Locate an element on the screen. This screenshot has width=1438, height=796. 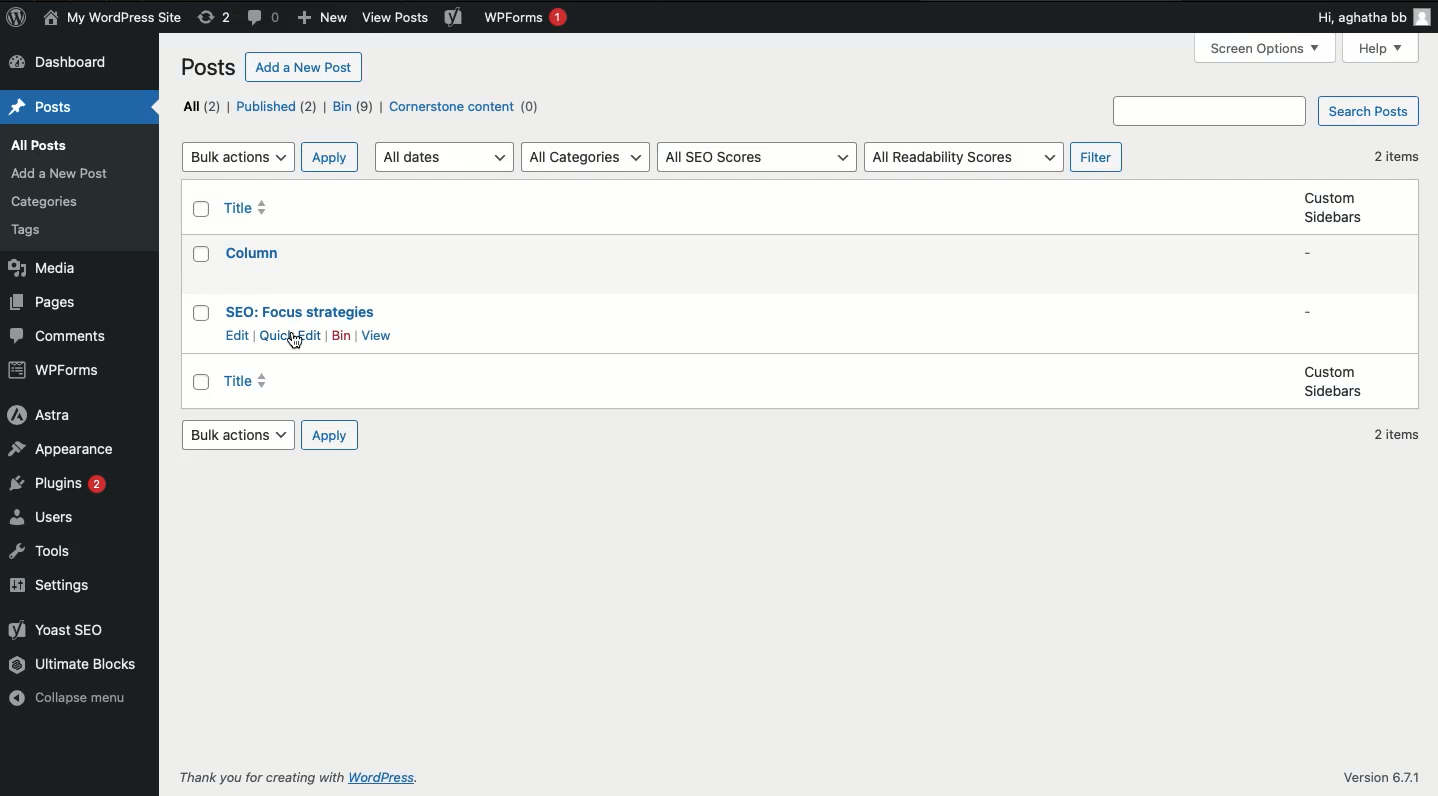
All dates is located at coordinates (447, 156).